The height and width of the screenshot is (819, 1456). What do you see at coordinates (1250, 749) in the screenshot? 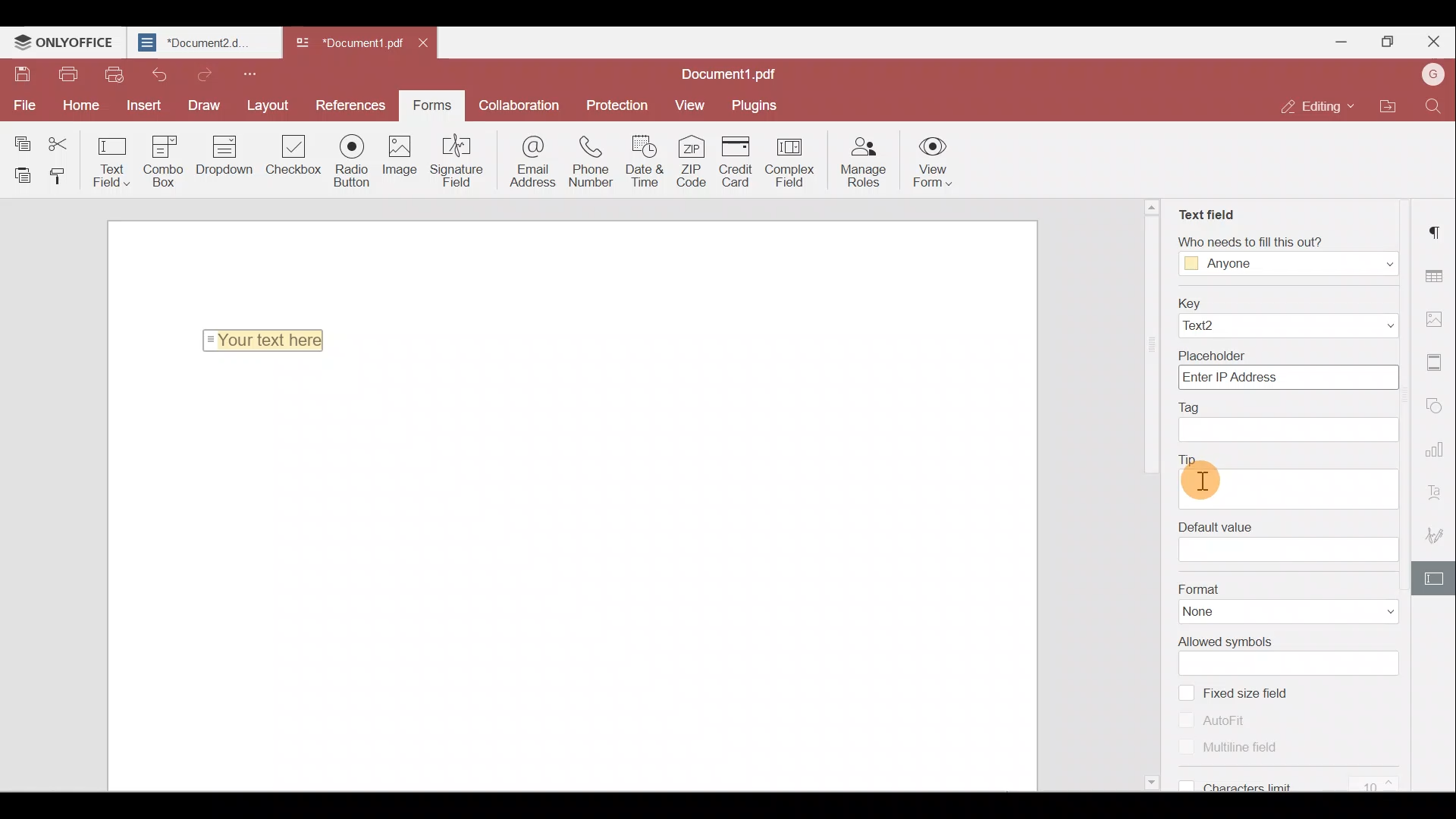
I see `Multiline field` at bounding box center [1250, 749].